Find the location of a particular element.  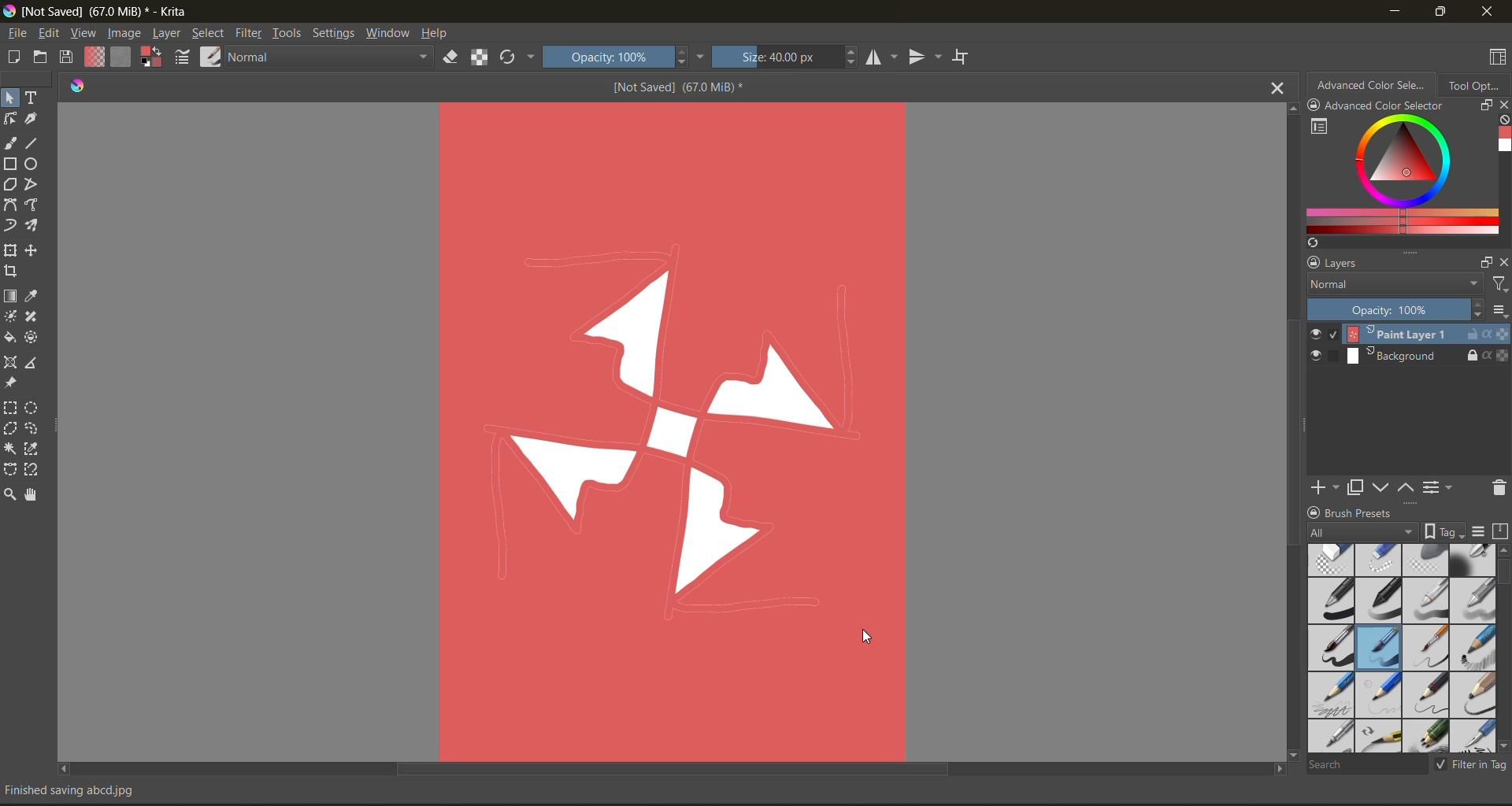

tools is located at coordinates (10, 409).